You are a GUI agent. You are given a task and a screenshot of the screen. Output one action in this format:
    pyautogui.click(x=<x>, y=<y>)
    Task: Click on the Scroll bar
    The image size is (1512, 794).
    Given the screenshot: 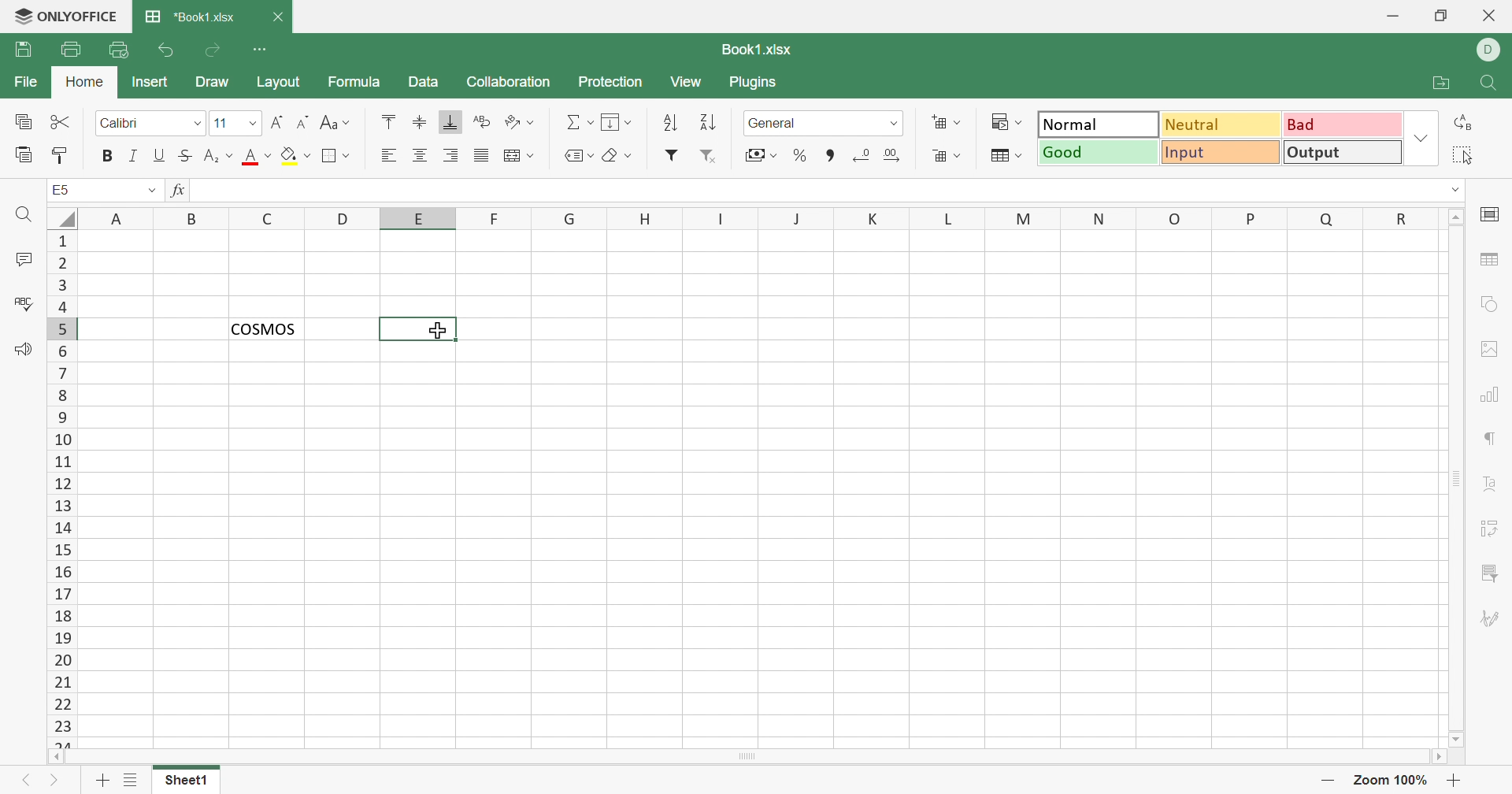 What is the action you would take?
    pyautogui.click(x=746, y=757)
    